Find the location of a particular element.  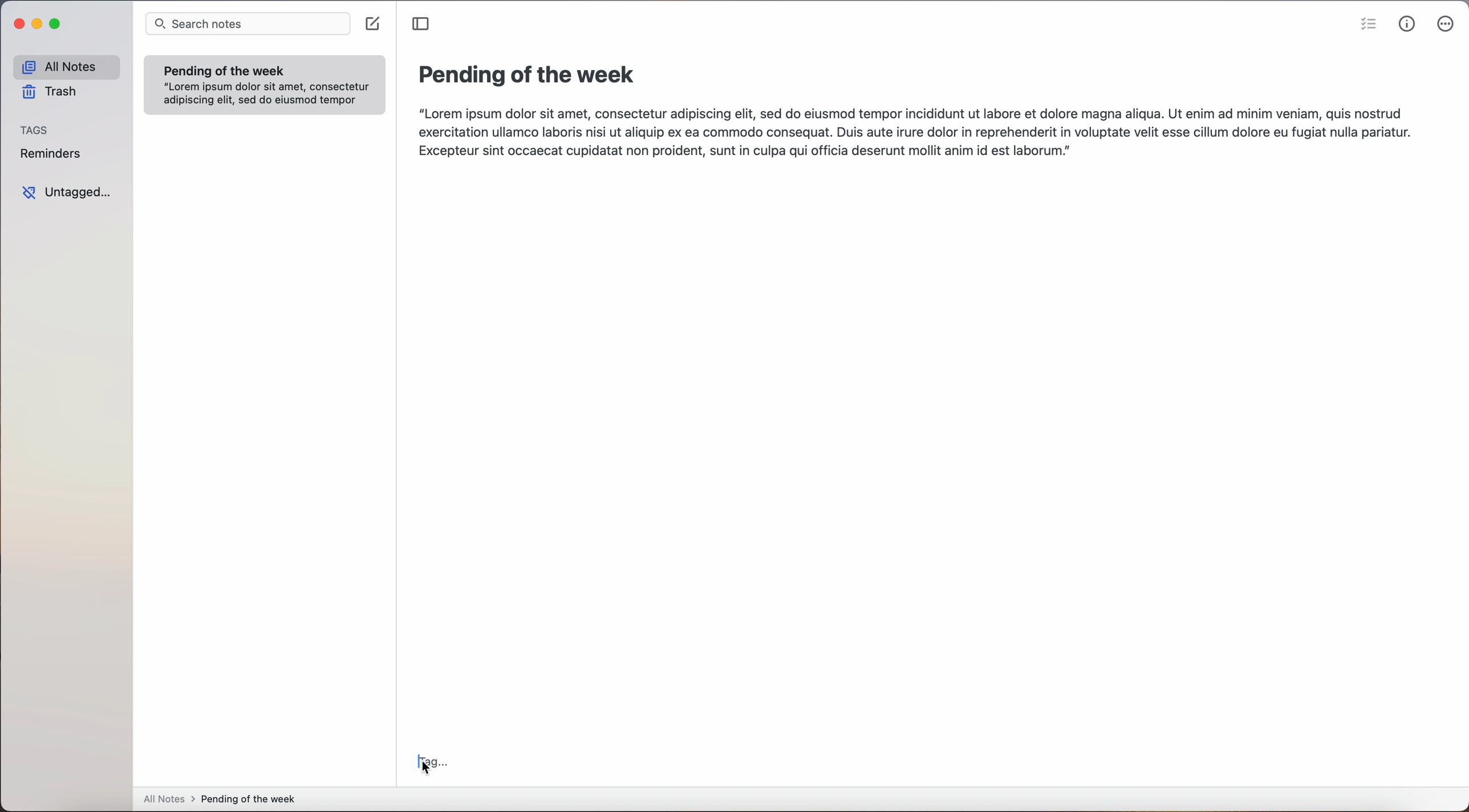

“Lorem ipsum dolor sit amet, consectetur adipiscing elit, sed do eiusmod tempor incididunt ut labore et dolore magna aliqua. Ut enim ad minim veniam, quis nostrud
exercitation ullamco laboris nisi ut aliquip ex ea commodo consequat. Duis aute irure dolor in reprehenderit in voluptate velit esse cillum dolore eu fugiat nulla pariatur.
Excepteur sint occaecat cupidatat non proident, sunt in culpa qui officia deserunt mollit anim id est laborum.]| is located at coordinates (916, 135).